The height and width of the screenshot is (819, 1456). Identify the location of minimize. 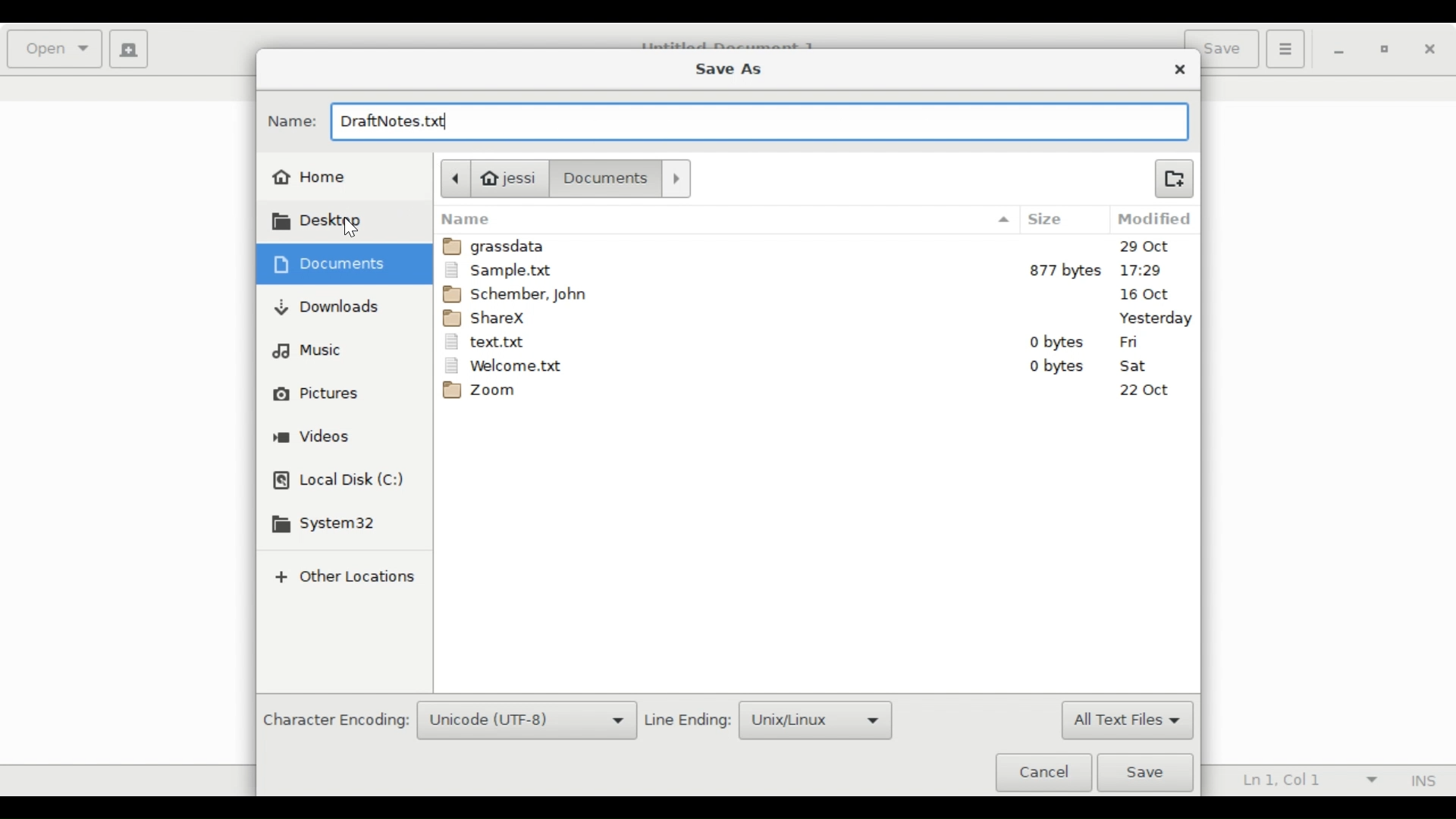
(1341, 51).